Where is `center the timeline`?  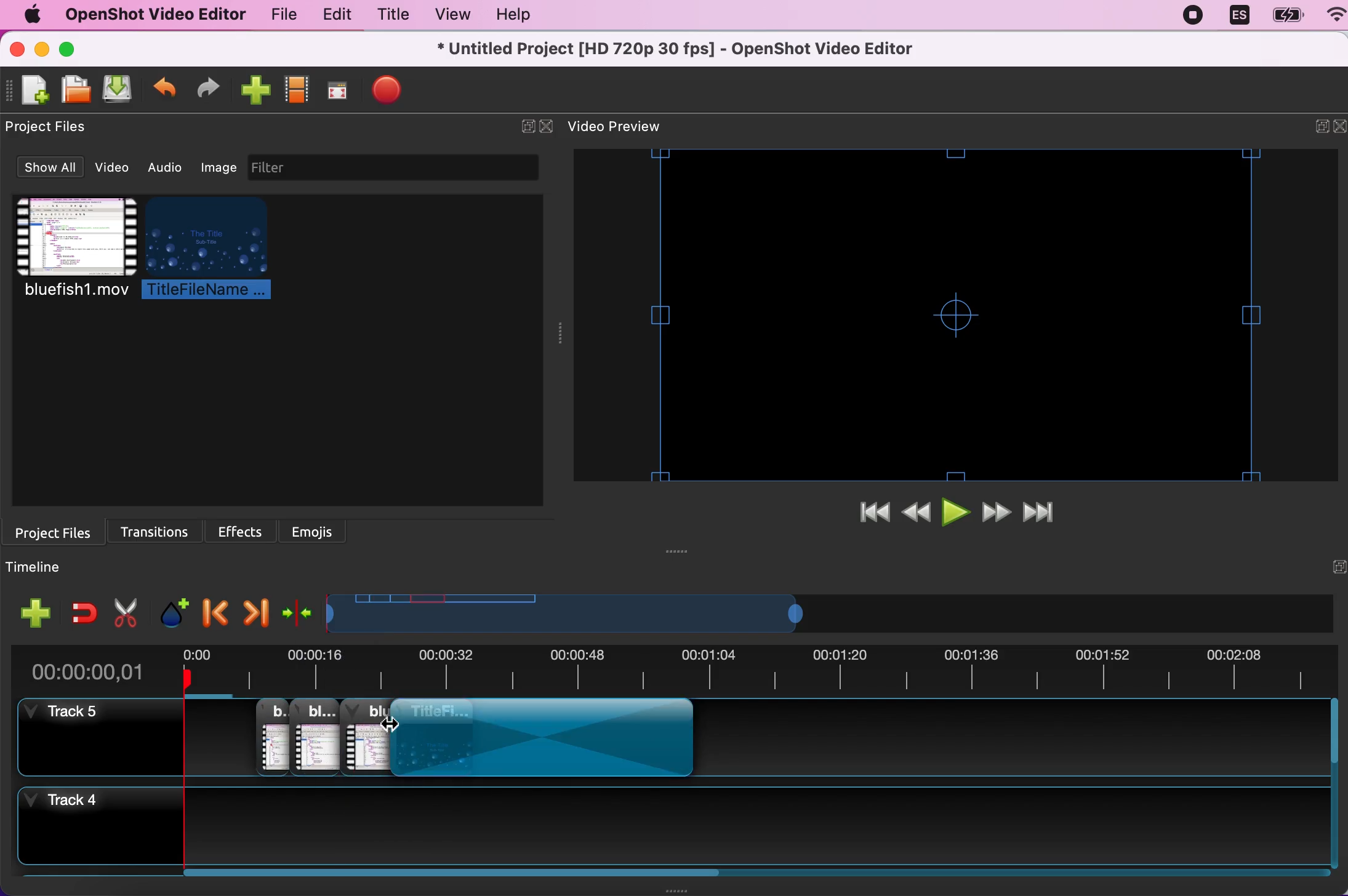
center the timeline is located at coordinates (299, 611).